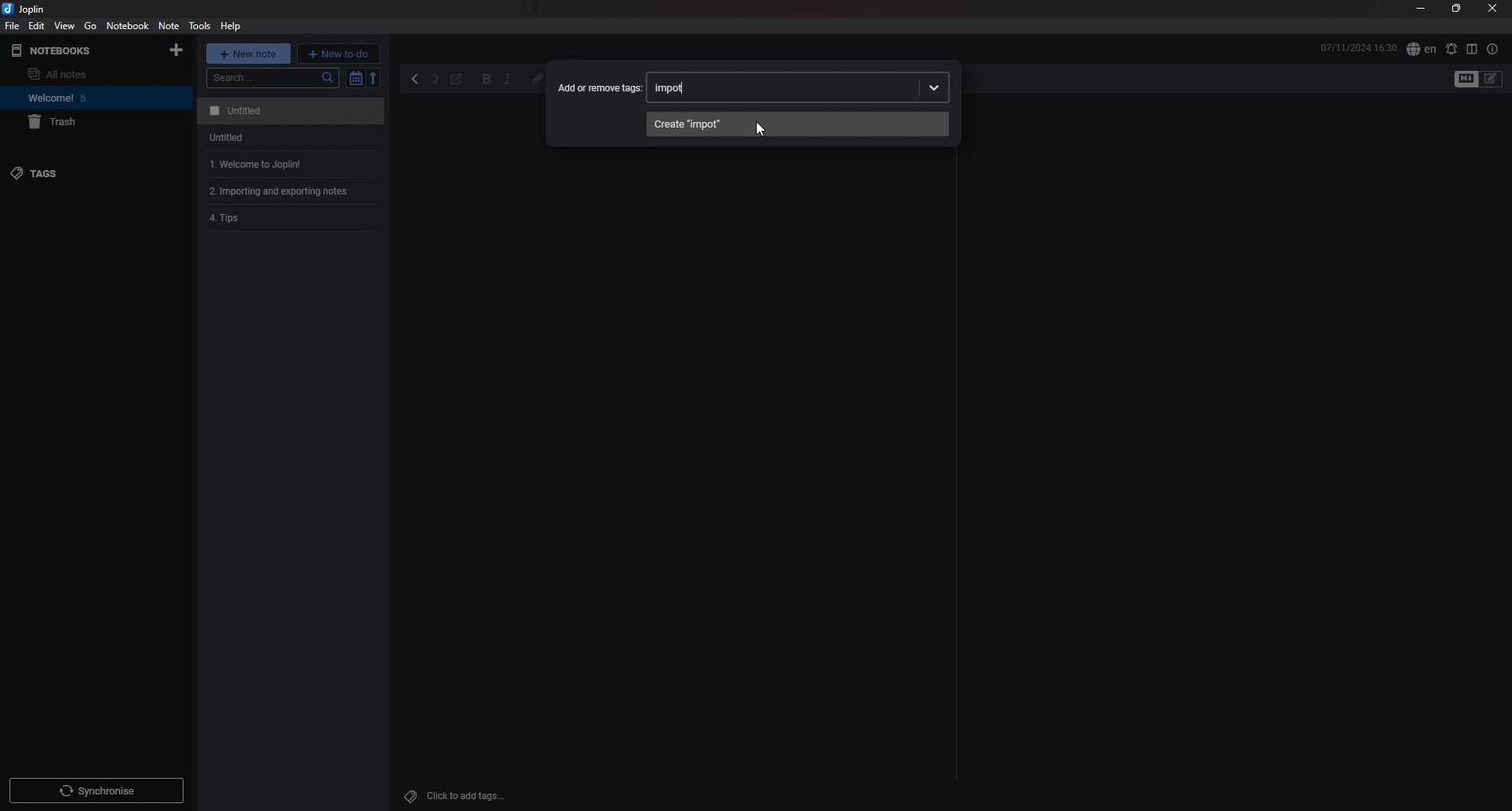 Image resolution: width=1512 pixels, height=811 pixels. What do you see at coordinates (600, 87) in the screenshot?
I see `add or remove tags` at bounding box center [600, 87].